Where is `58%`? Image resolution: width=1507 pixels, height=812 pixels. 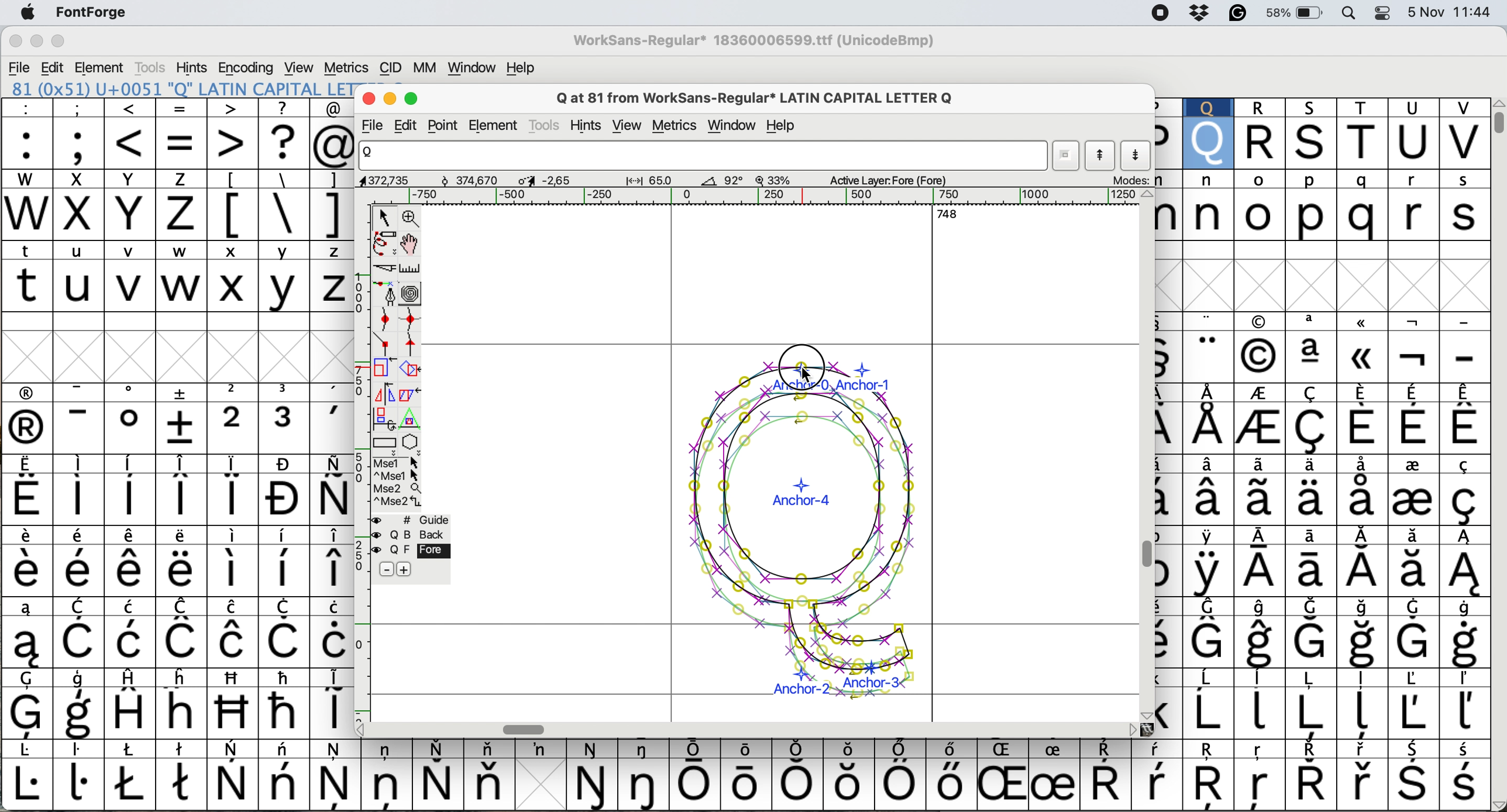 58% is located at coordinates (1298, 14).